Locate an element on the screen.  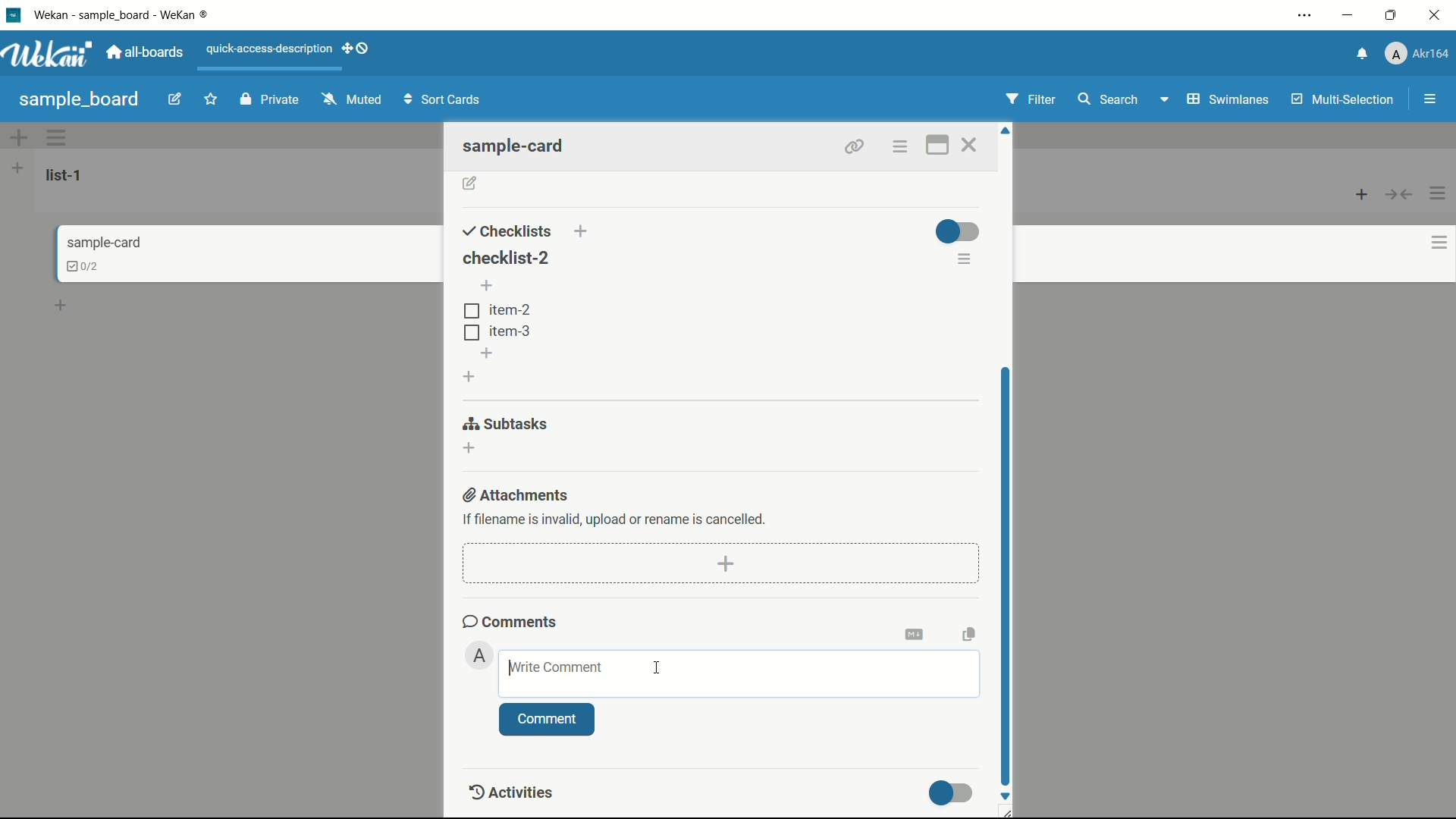
attachments is located at coordinates (518, 494).